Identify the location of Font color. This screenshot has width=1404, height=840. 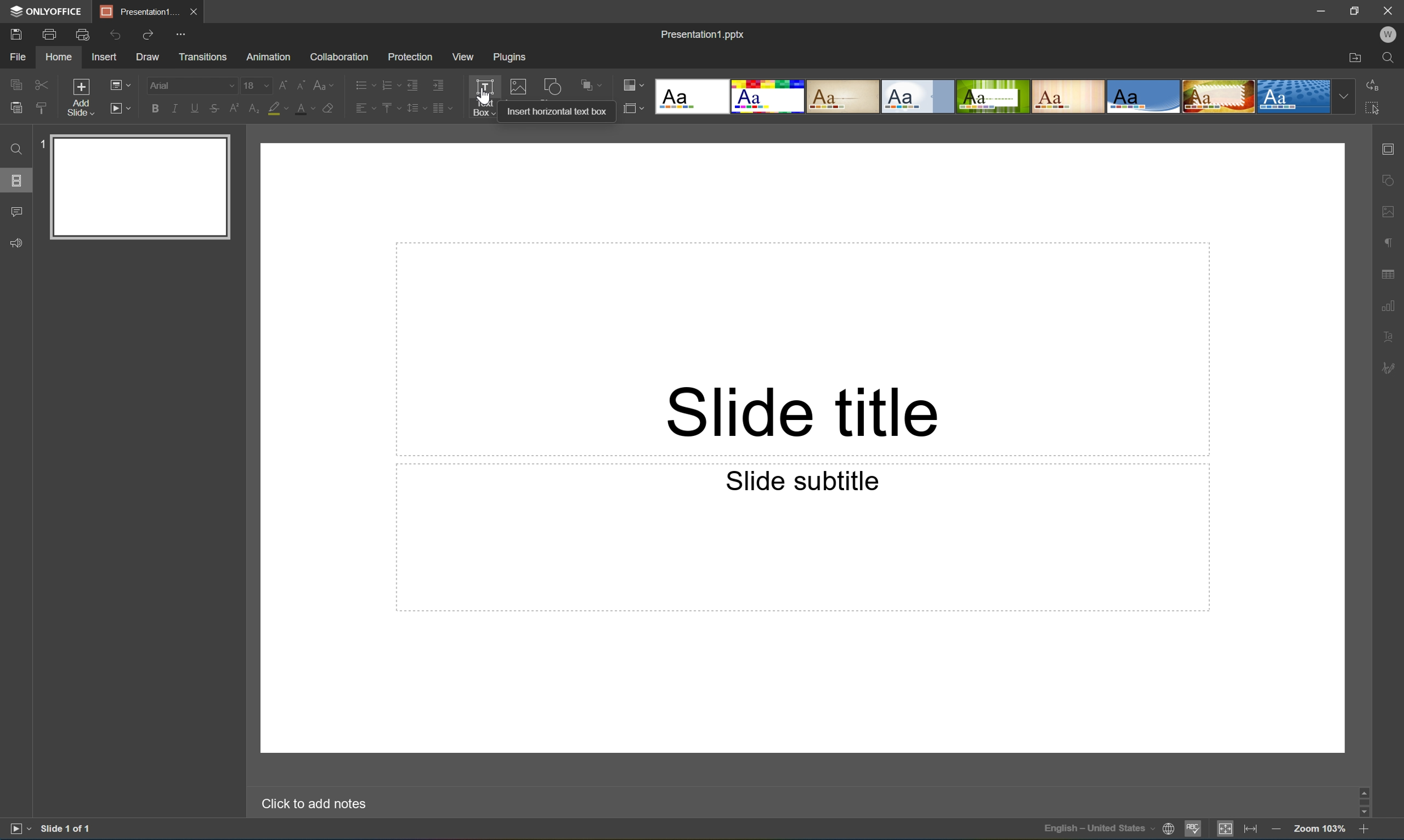
(303, 108).